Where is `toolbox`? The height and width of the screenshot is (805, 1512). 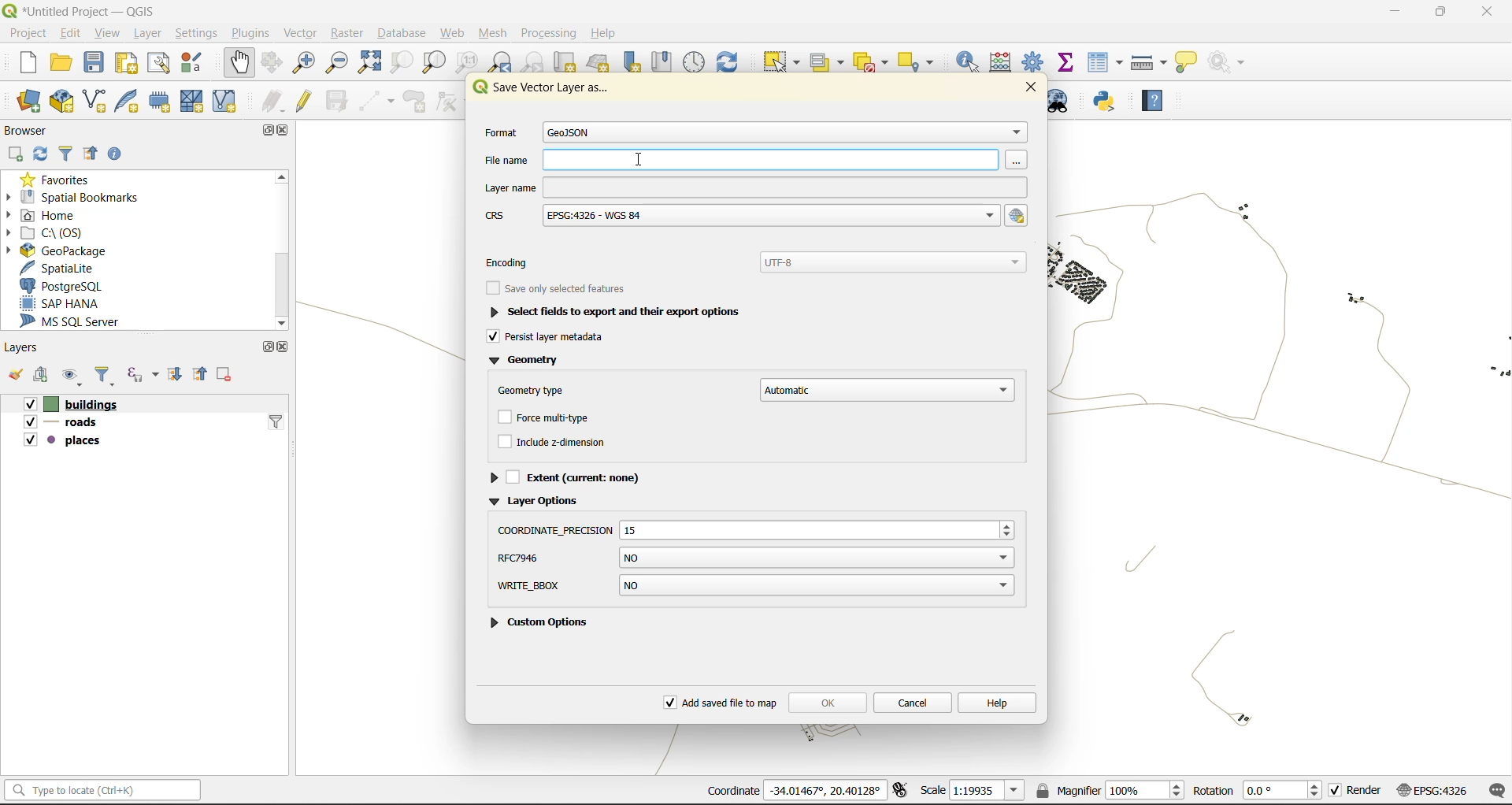
toolbox is located at coordinates (1036, 61).